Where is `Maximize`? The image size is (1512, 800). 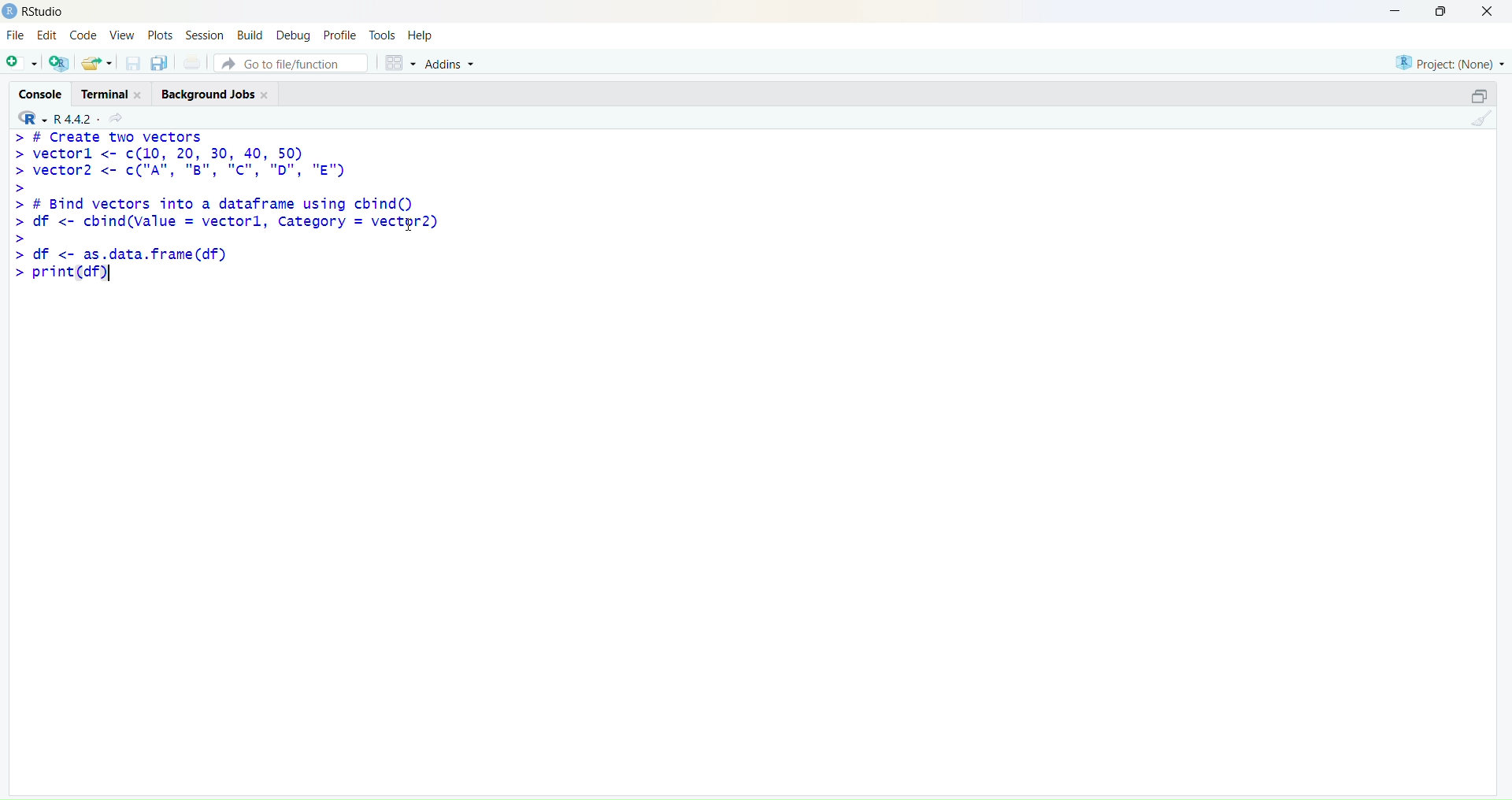 Maximize is located at coordinates (1442, 11).